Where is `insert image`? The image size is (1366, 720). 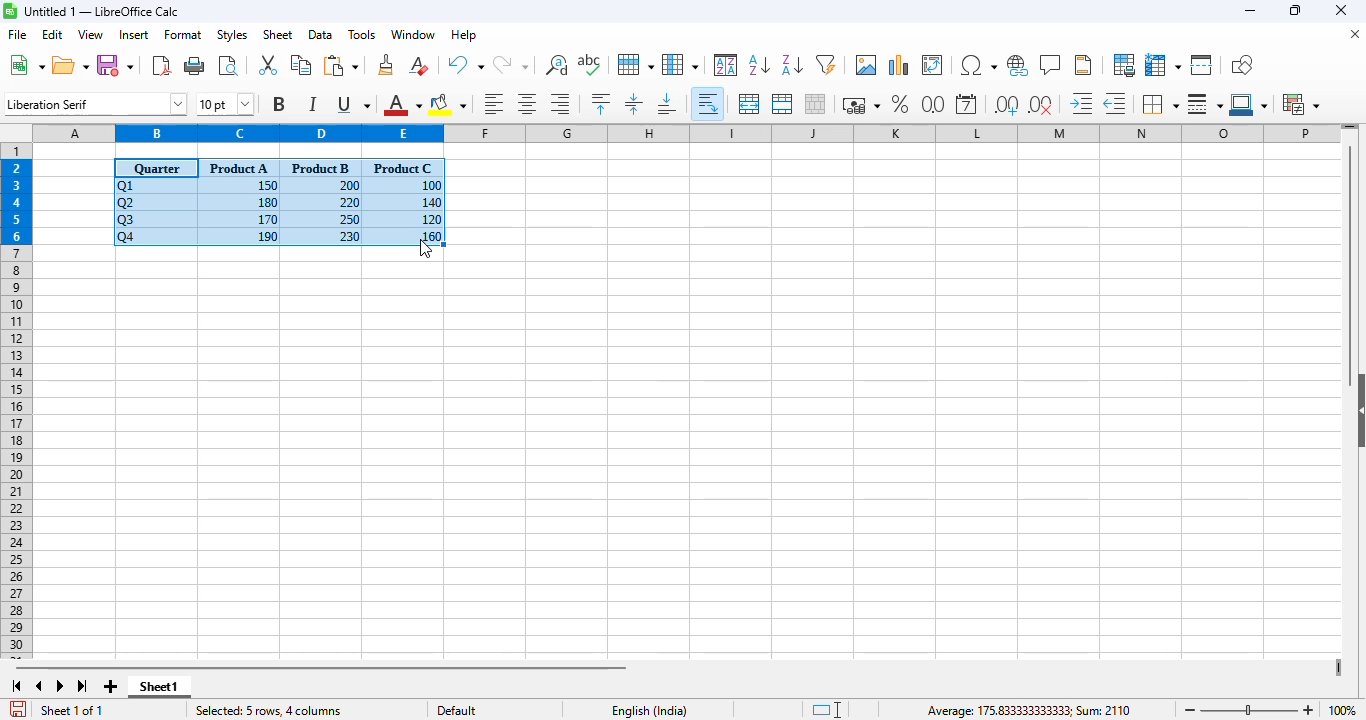
insert image is located at coordinates (867, 64).